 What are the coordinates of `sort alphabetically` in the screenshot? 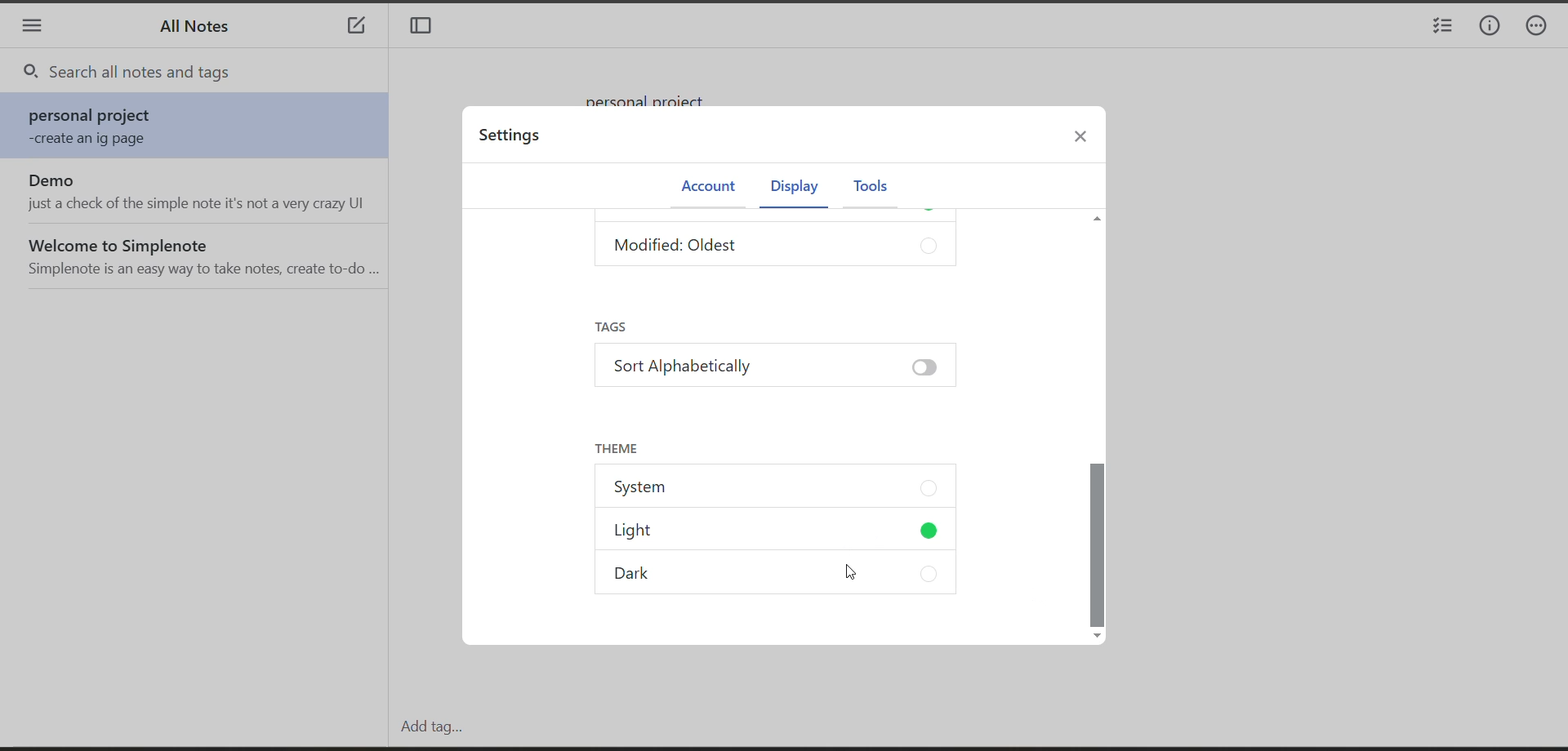 It's located at (773, 371).